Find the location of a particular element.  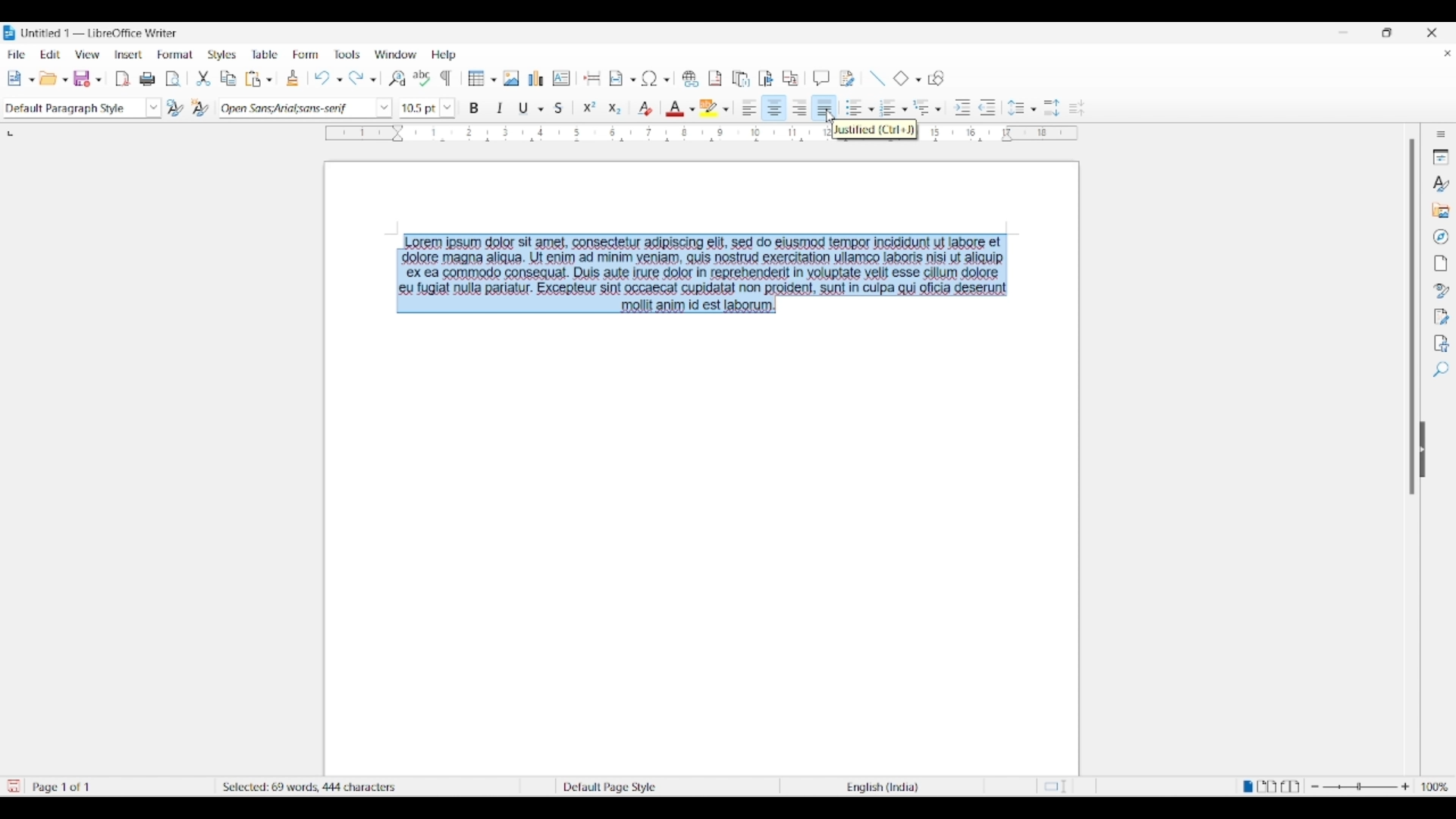

Form is located at coordinates (305, 54).